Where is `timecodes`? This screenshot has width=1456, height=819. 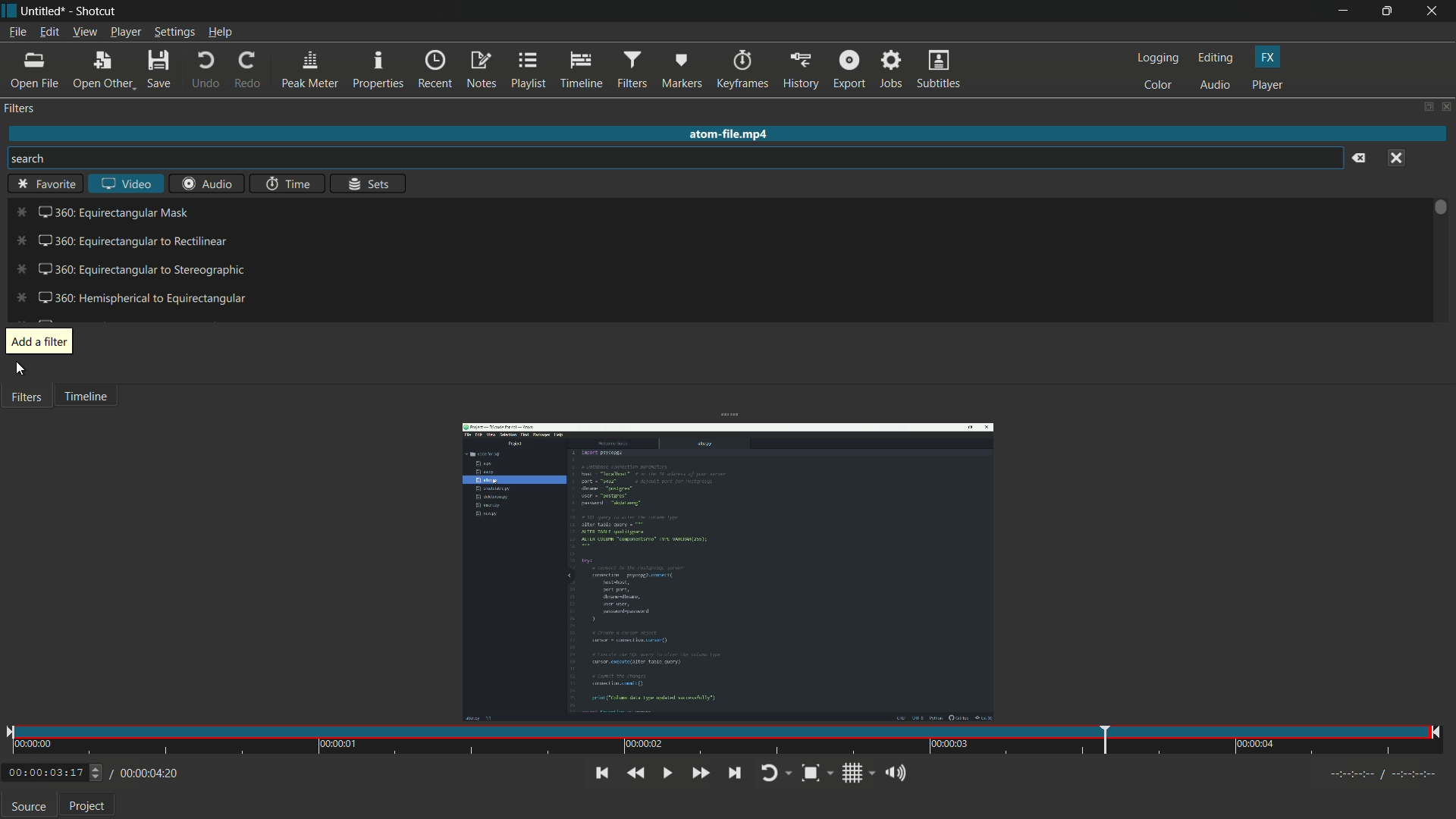 timecodes is located at coordinates (1385, 776).